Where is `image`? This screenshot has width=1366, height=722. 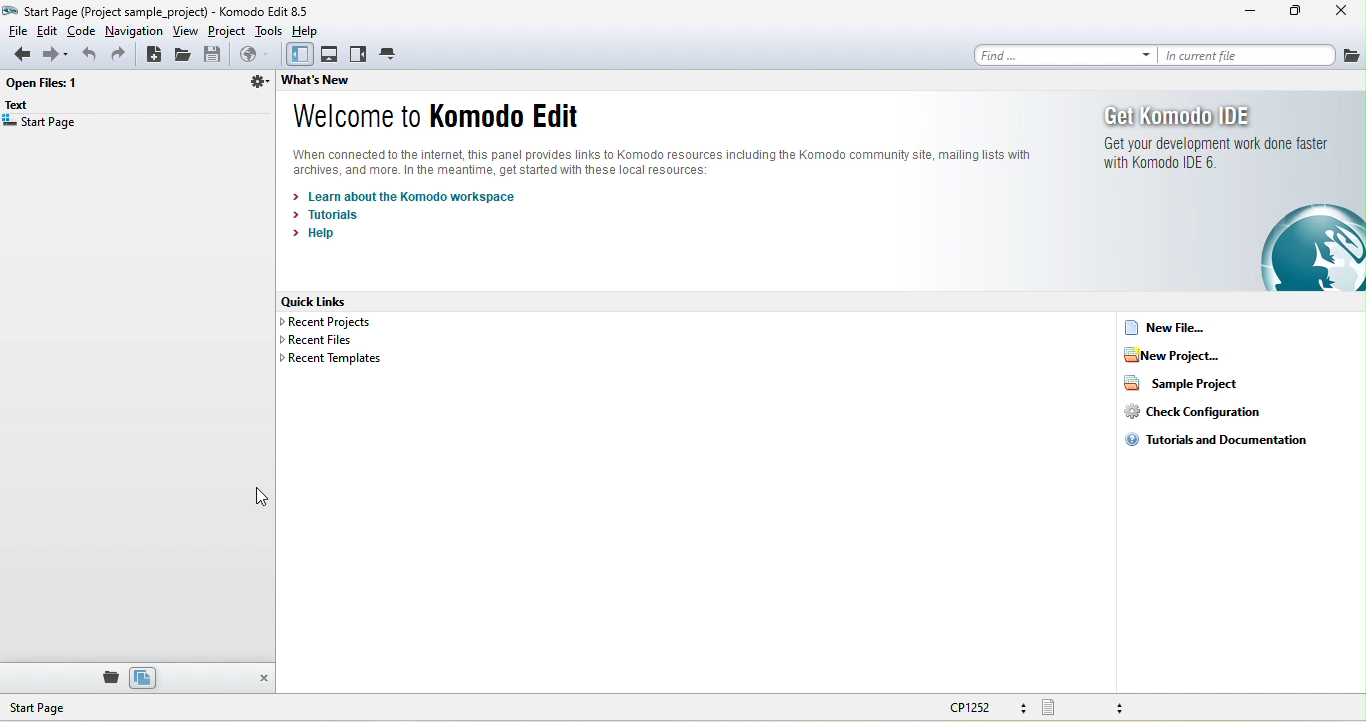 image is located at coordinates (1312, 248).